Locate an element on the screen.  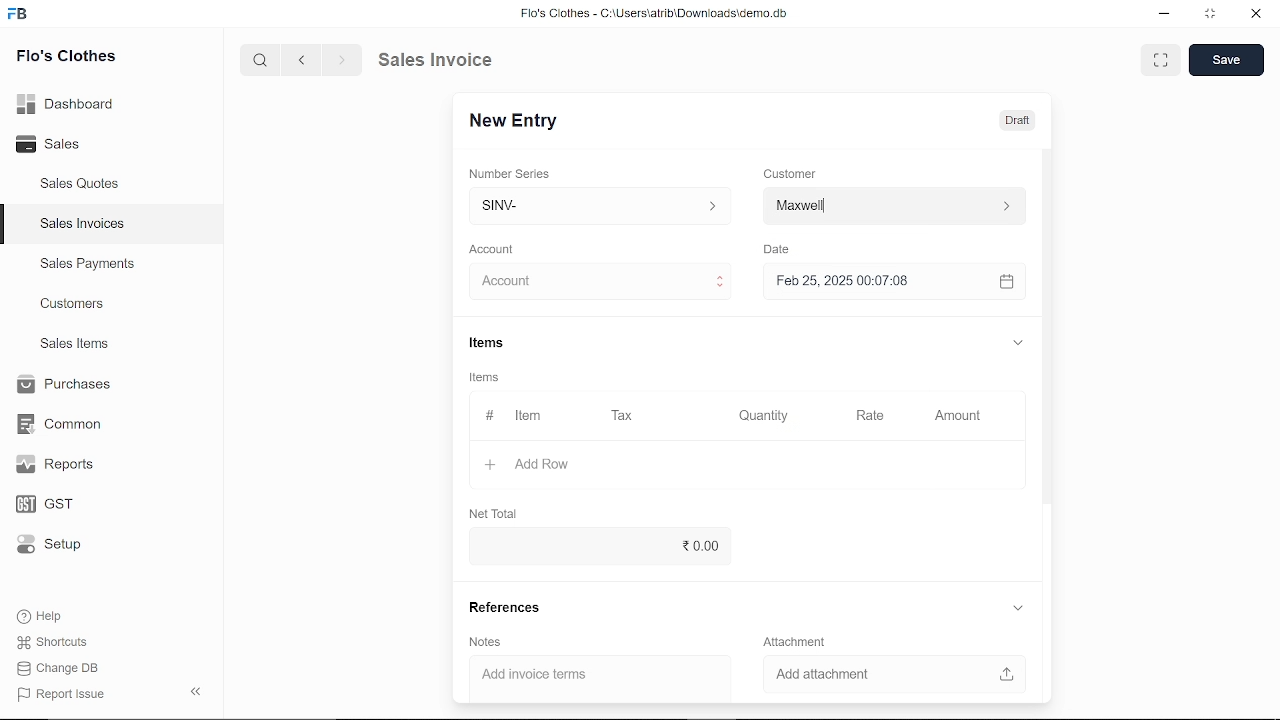
save is located at coordinates (1227, 60).